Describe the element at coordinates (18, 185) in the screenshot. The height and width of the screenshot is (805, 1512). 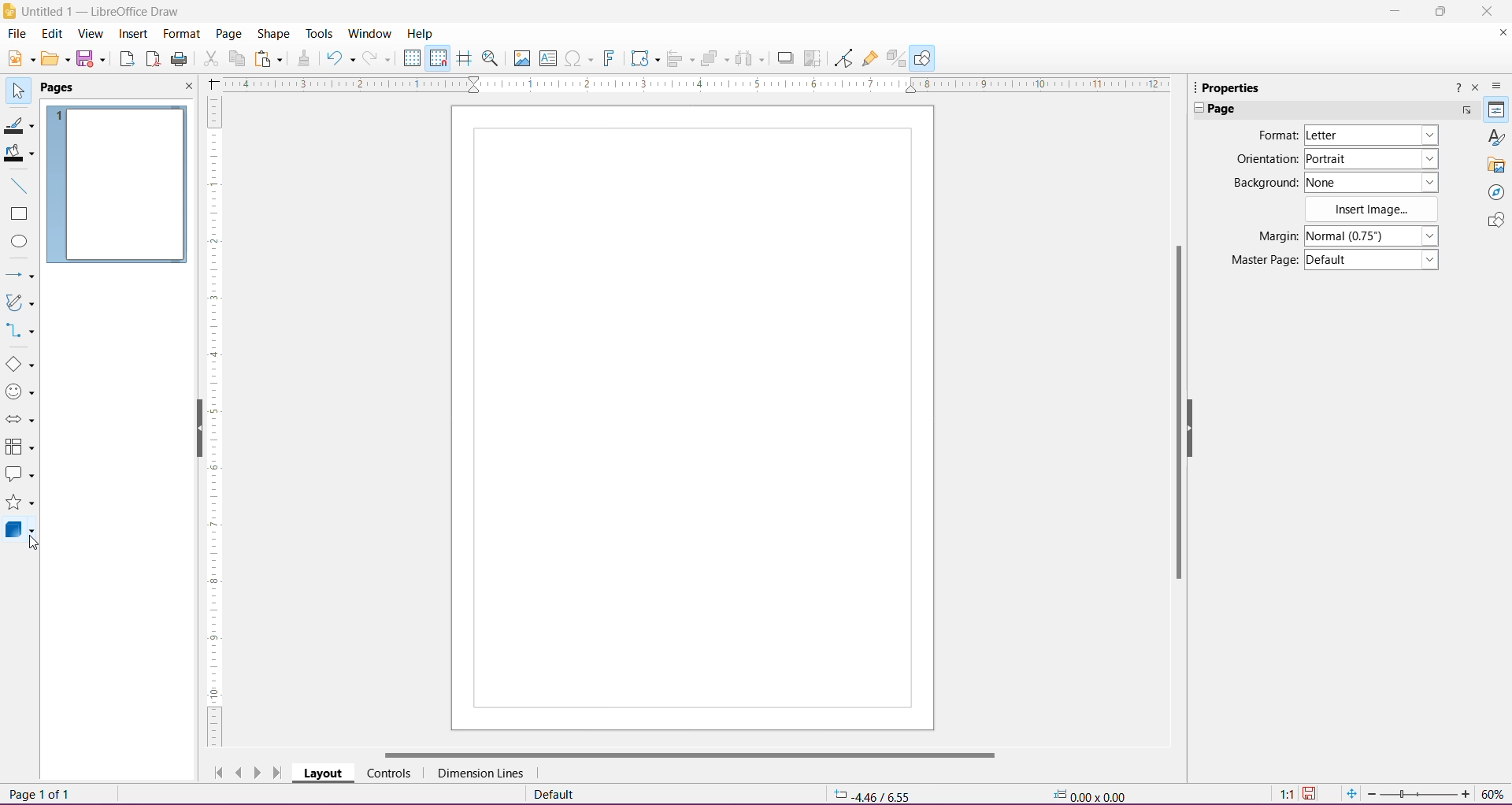
I see `Insert Line` at that location.